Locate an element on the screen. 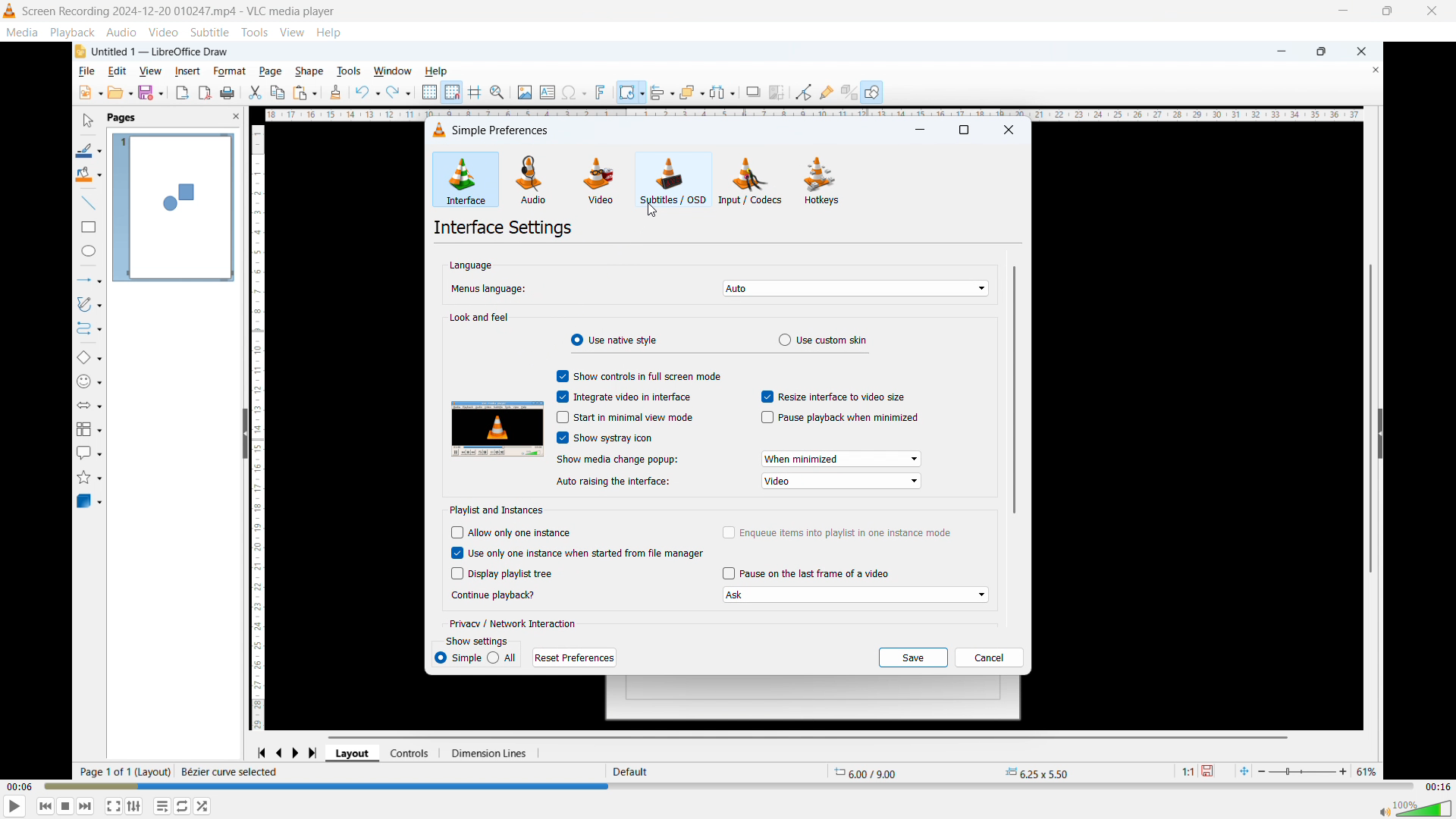 This screenshot has height=819, width=1456. Allow only one instance  is located at coordinates (513, 533).